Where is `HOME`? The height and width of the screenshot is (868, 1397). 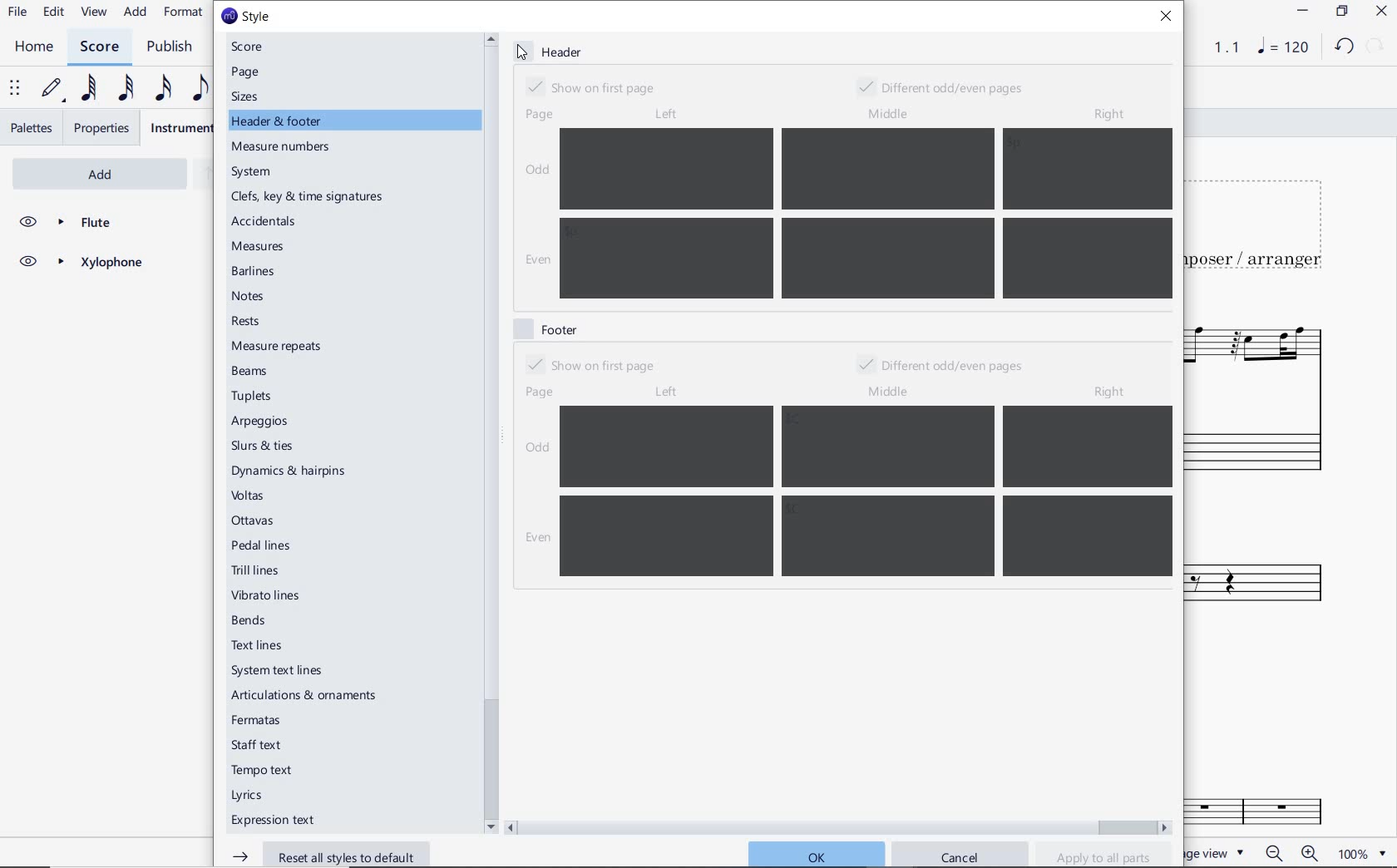 HOME is located at coordinates (34, 47).